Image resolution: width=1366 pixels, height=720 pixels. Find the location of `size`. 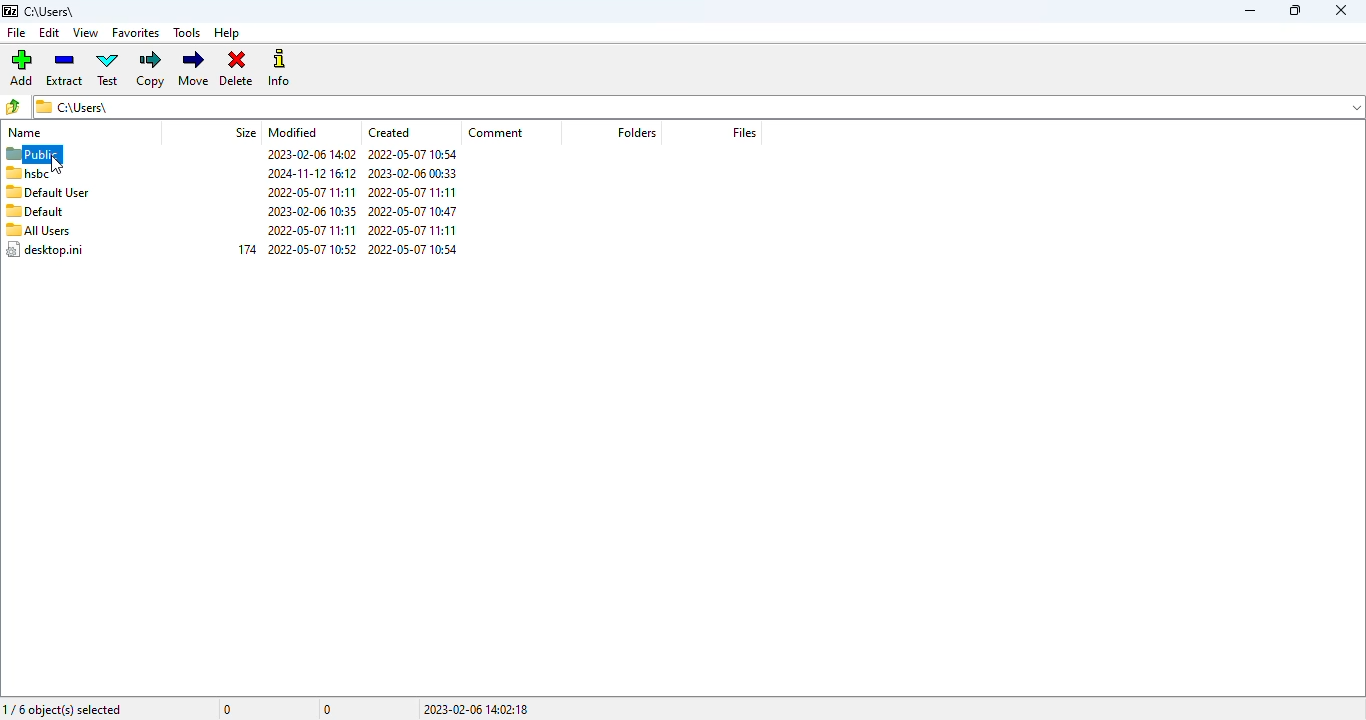

size is located at coordinates (245, 133).